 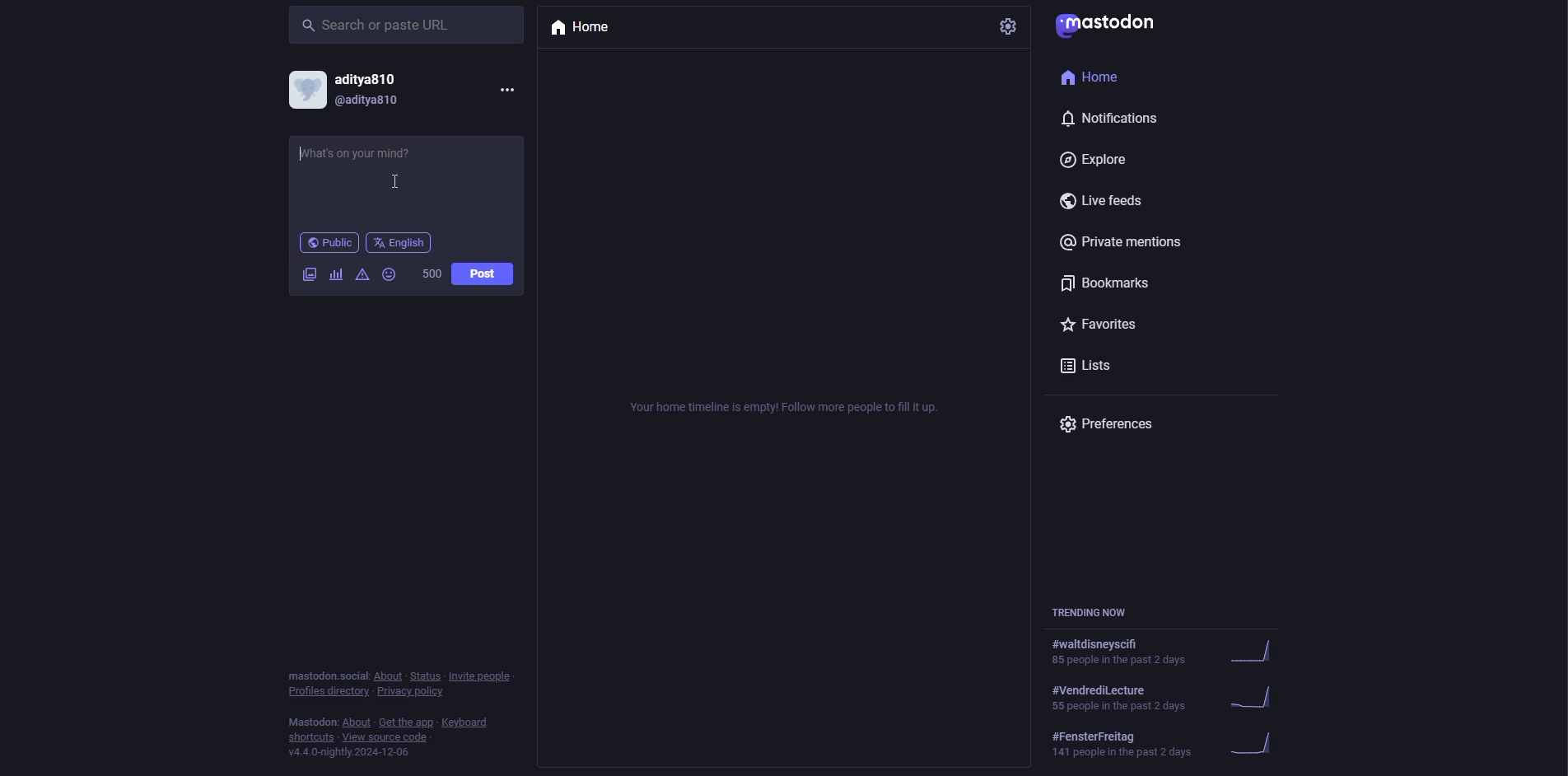 I want to click on info, so click(x=404, y=710).